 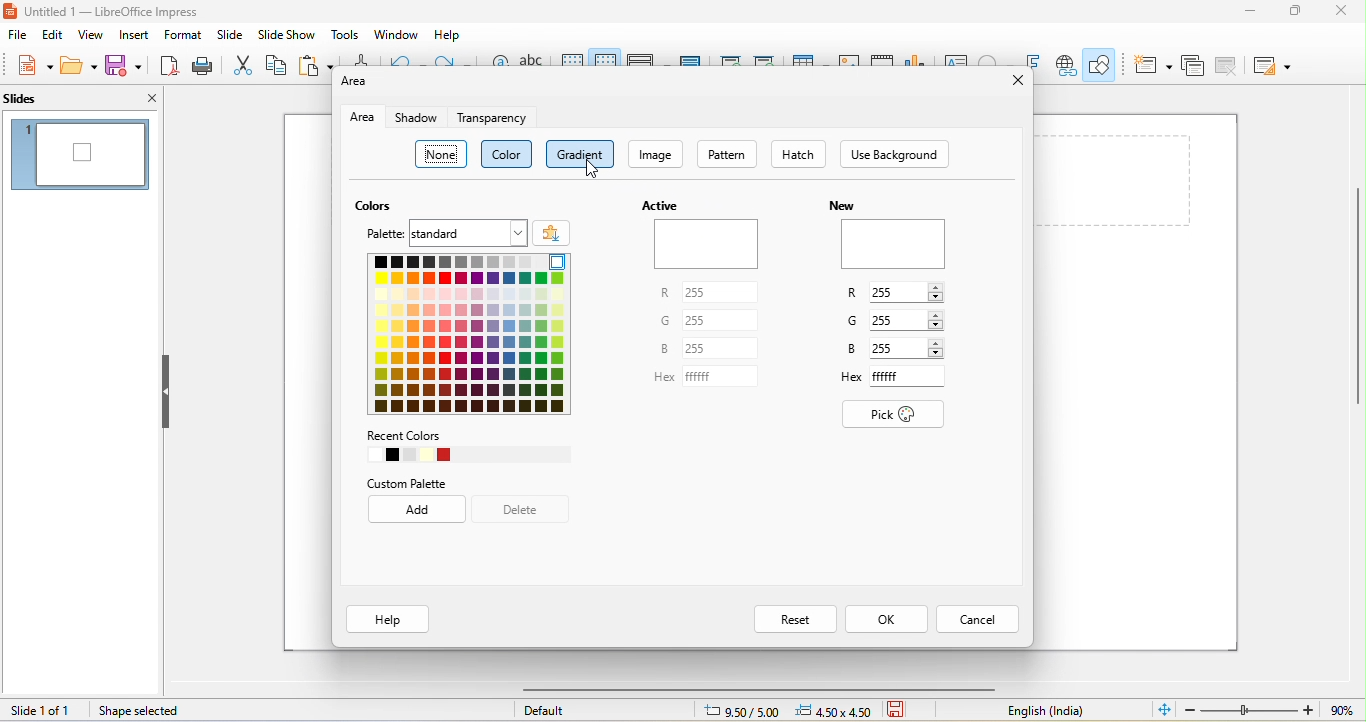 I want to click on colors, so click(x=447, y=455).